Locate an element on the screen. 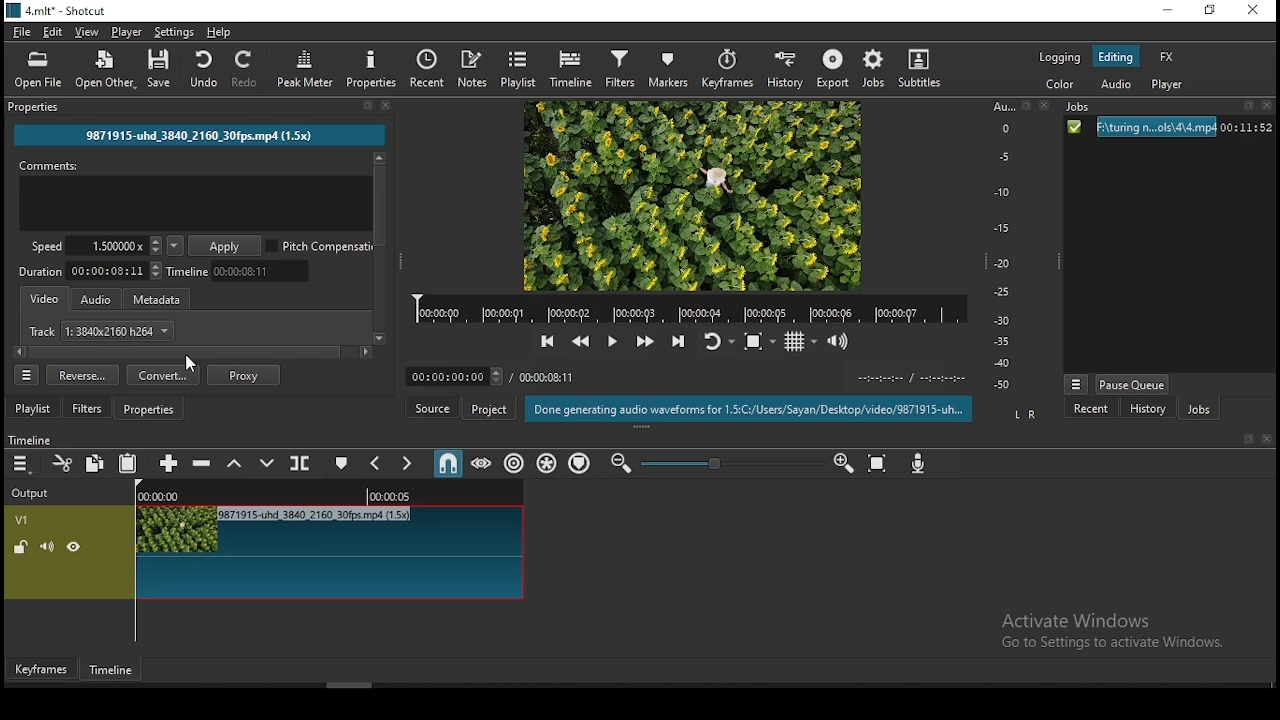  project is located at coordinates (489, 409).